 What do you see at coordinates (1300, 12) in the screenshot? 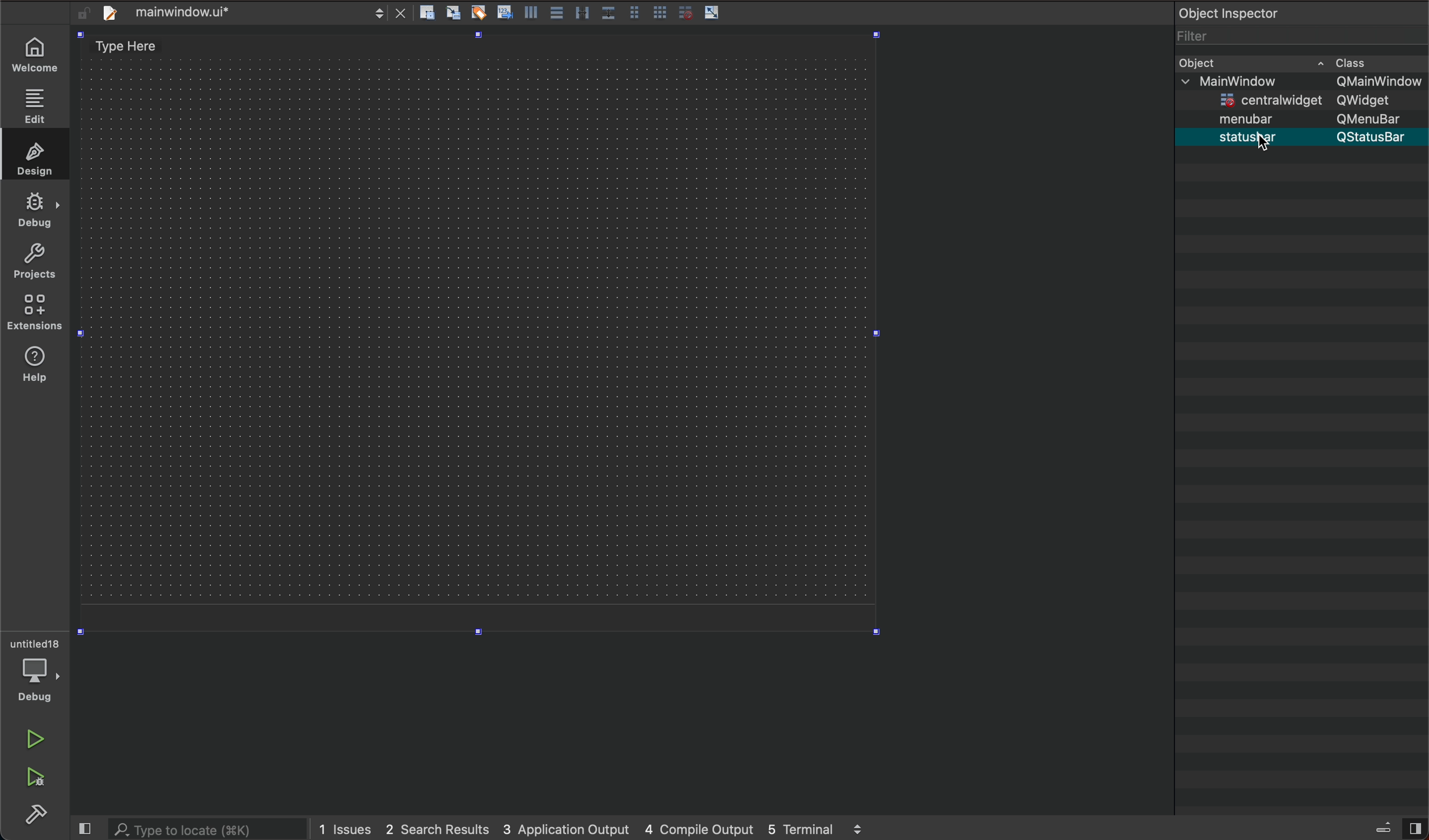
I see `object inspector` at bounding box center [1300, 12].